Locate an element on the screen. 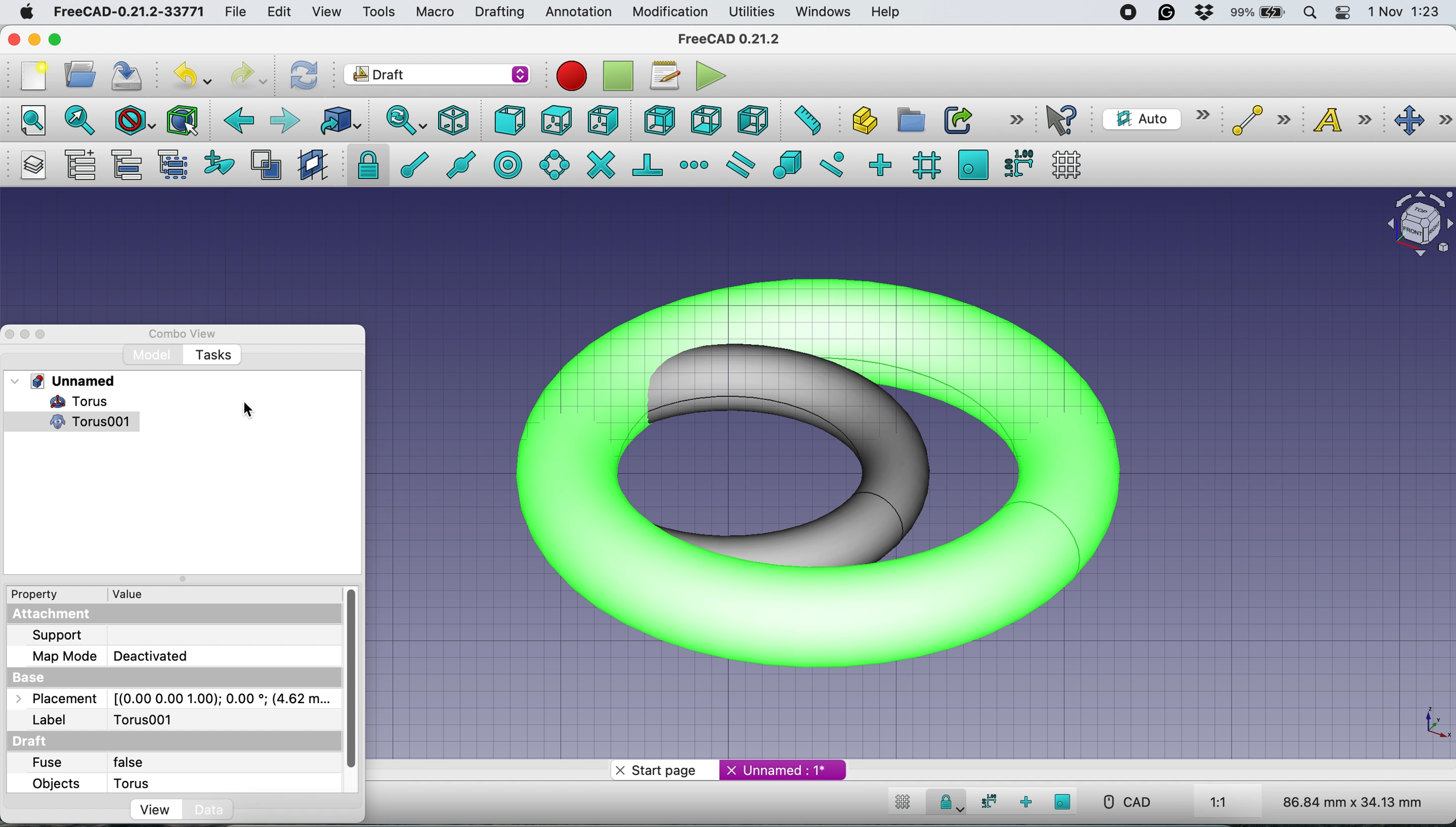  forward is located at coordinates (286, 122).